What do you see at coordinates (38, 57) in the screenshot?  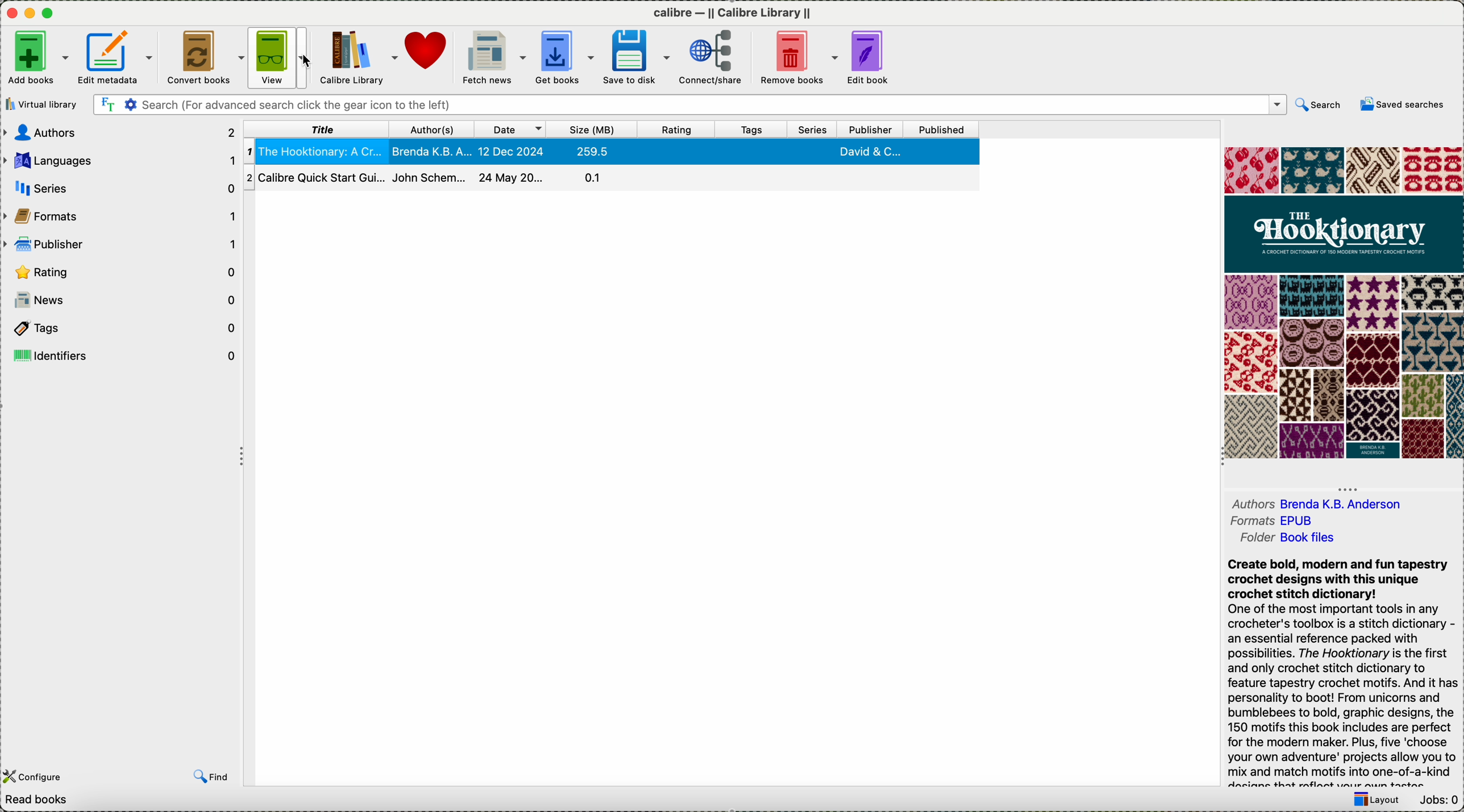 I see `add books` at bounding box center [38, 57].